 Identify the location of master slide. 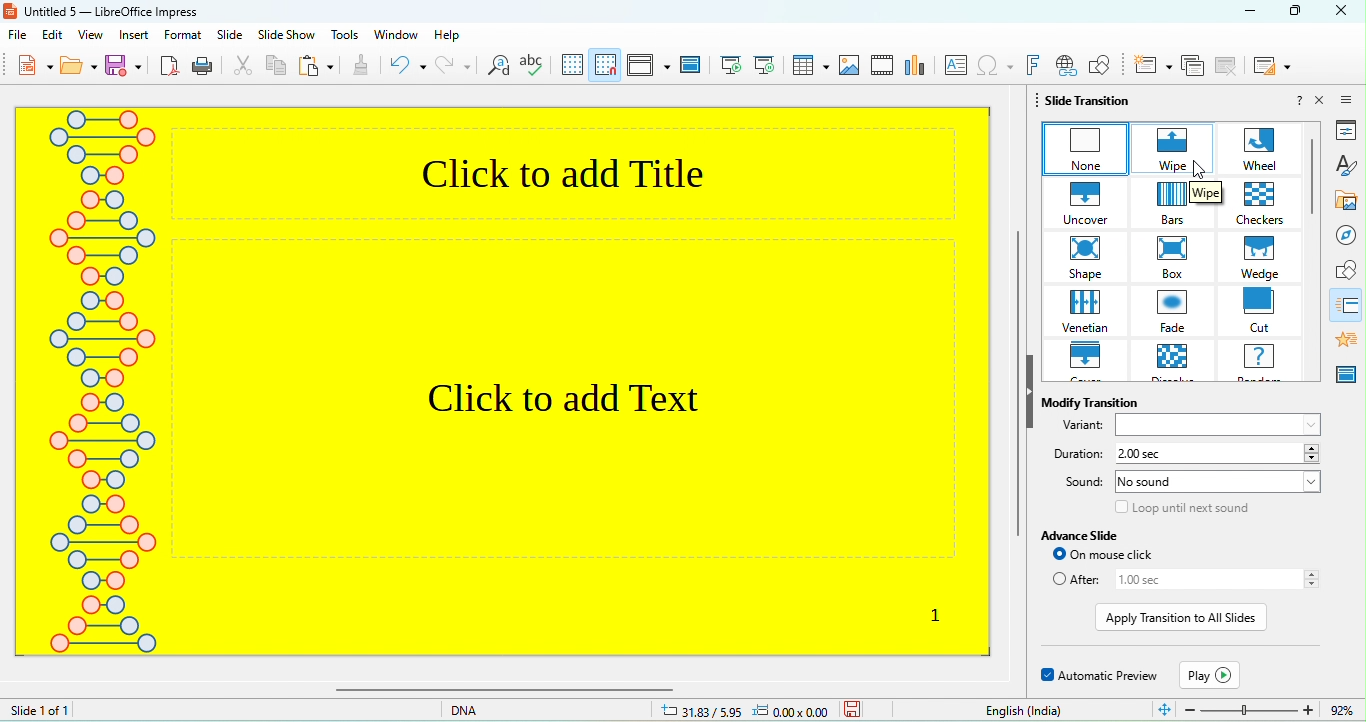
(1345, 375).